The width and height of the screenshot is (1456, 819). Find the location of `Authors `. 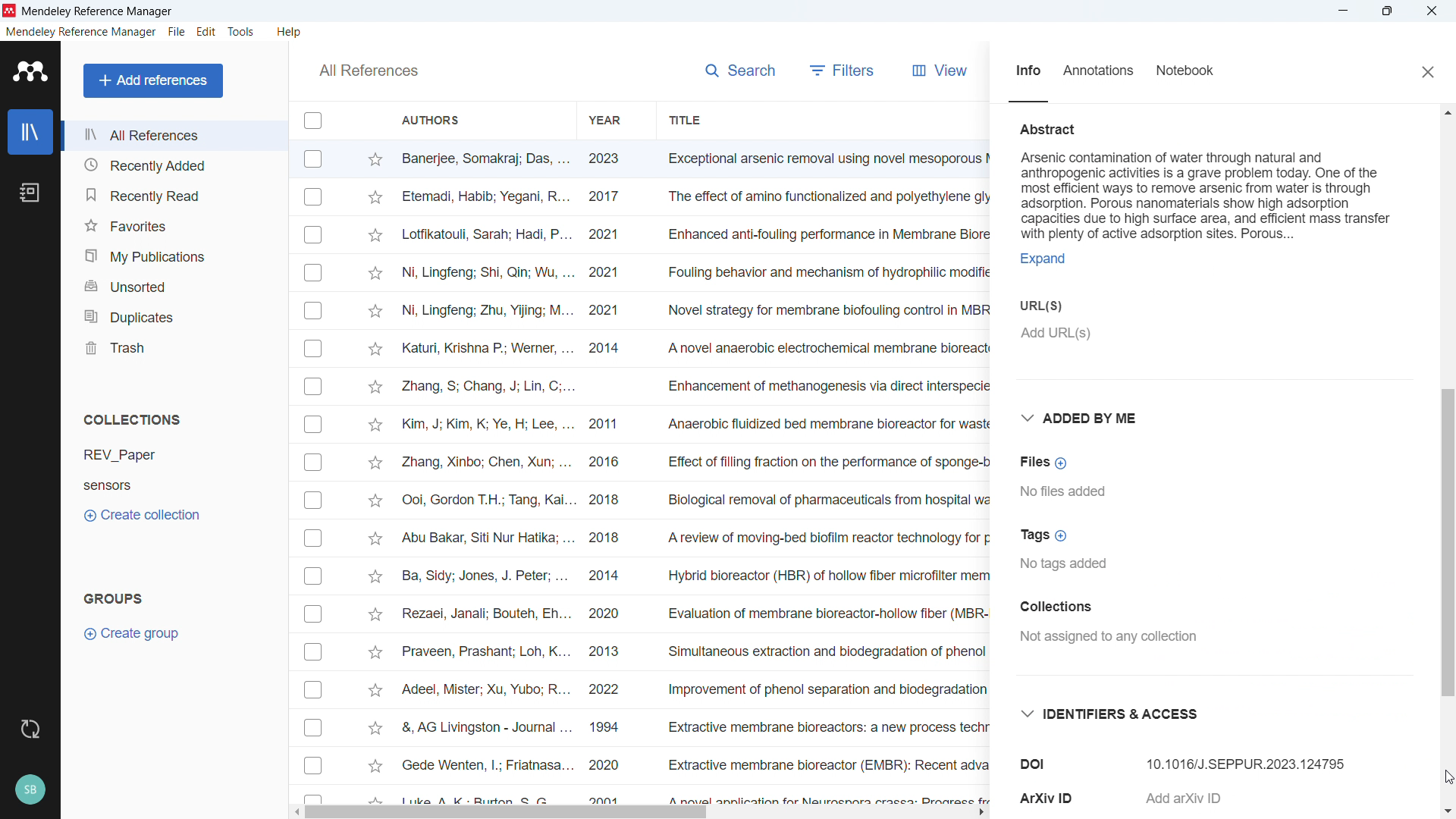

Authors  is located at coordinates (475, 119).